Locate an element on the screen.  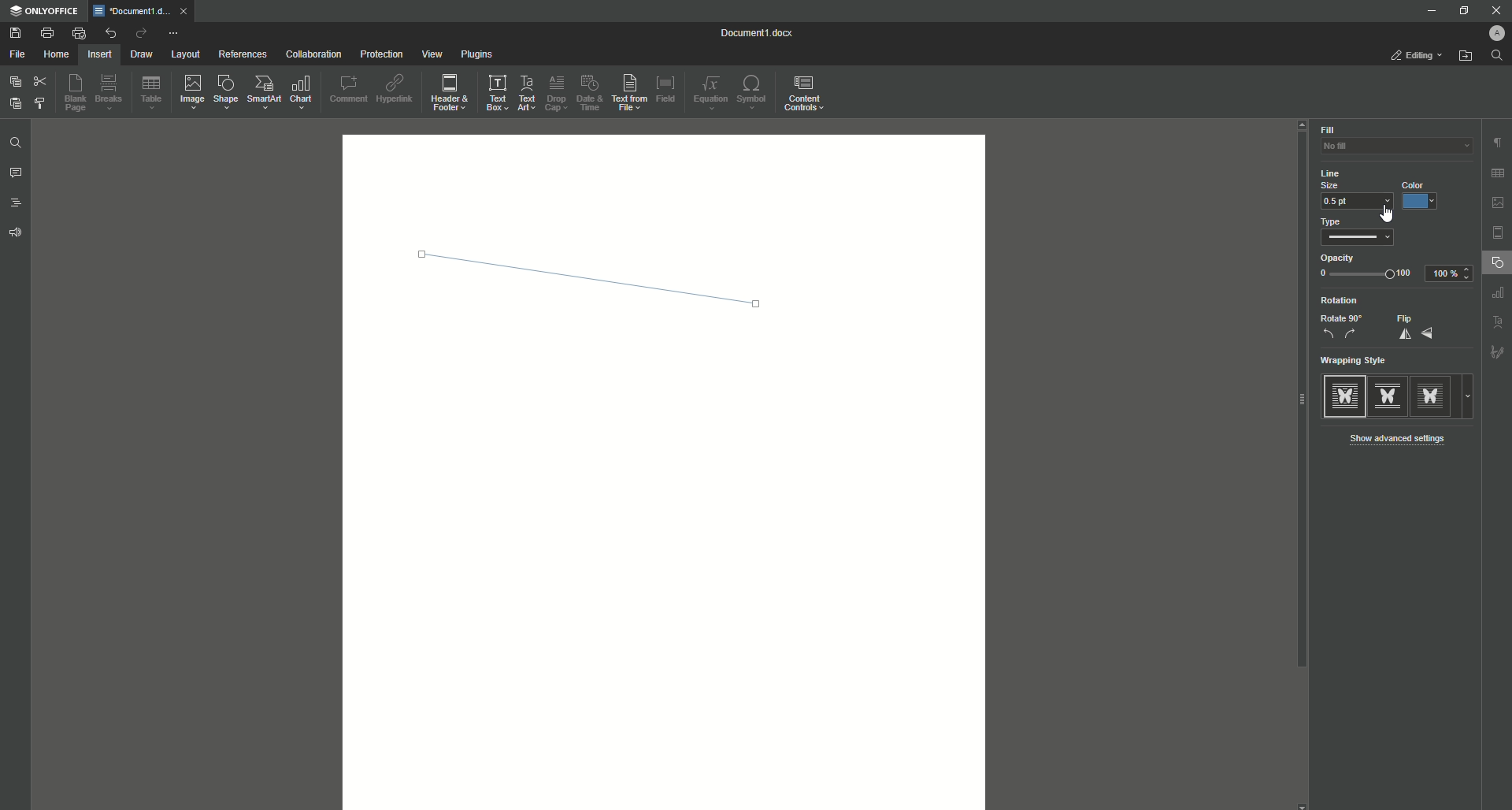
Text From File is located at coordinates (631, 94).